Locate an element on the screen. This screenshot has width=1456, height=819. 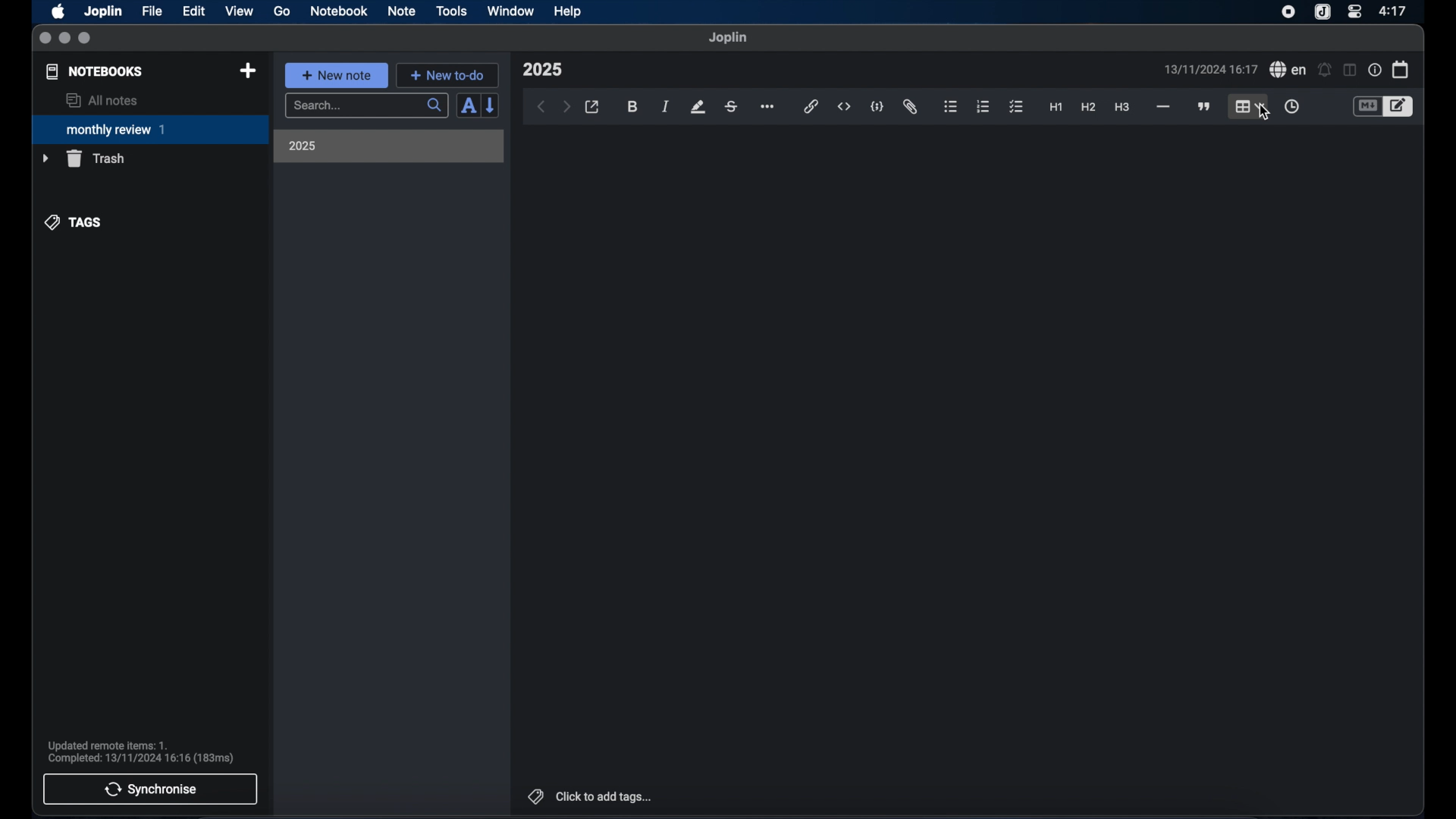
toggle editor is located at coordinates (1401, 107).